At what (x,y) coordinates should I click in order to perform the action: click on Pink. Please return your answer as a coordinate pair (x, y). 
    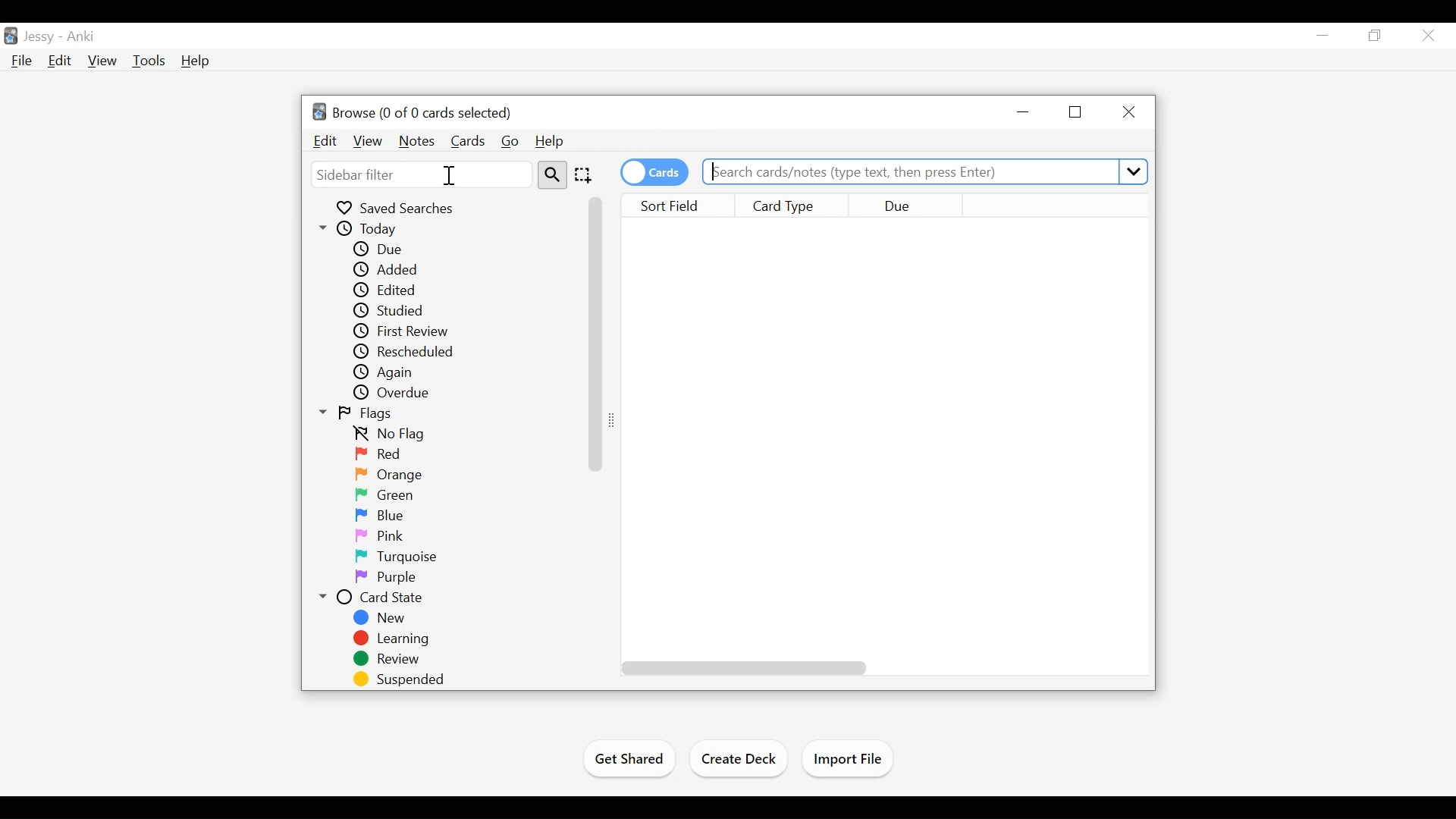
    Looking at the image, I should click on (381, 536).